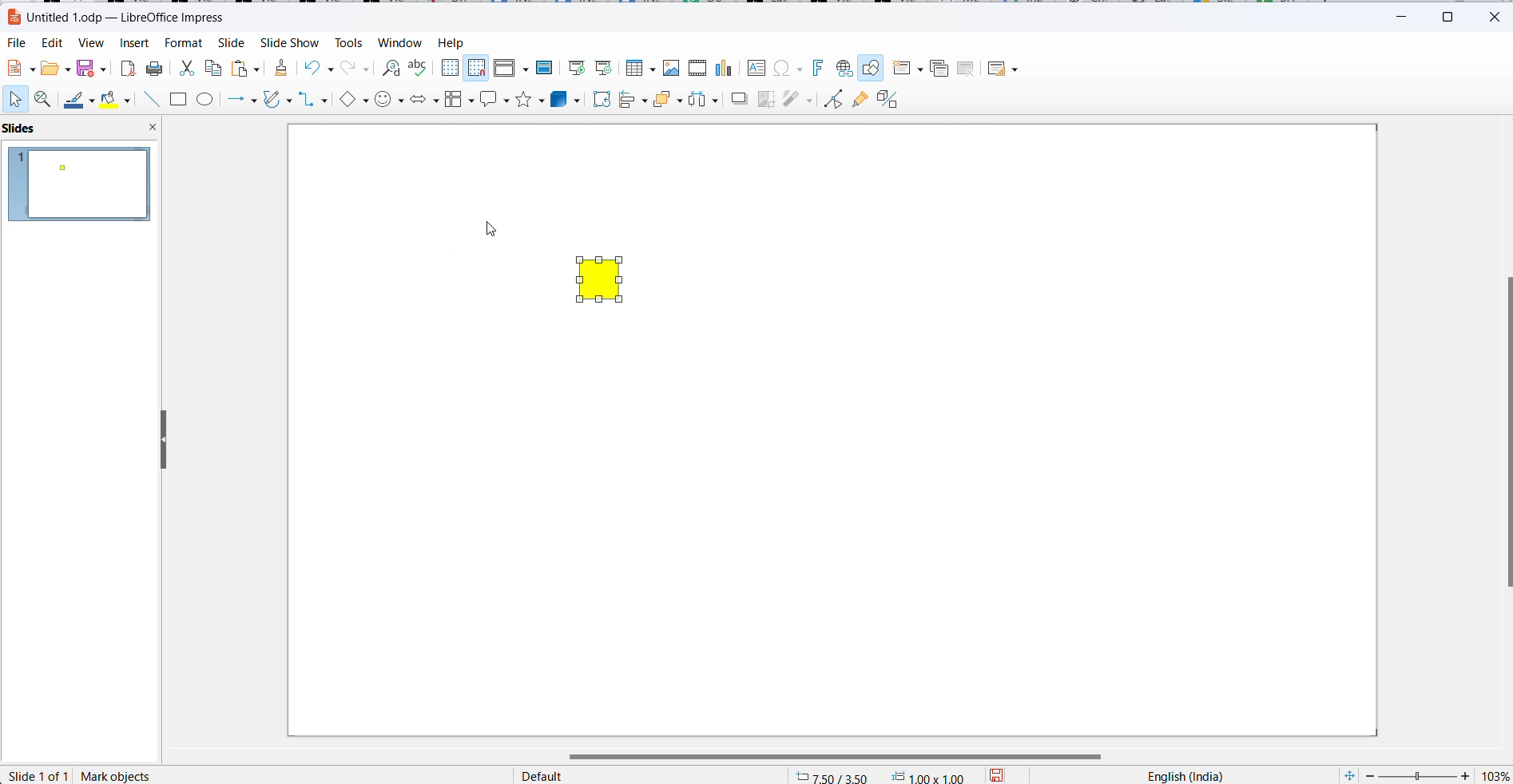  What do you see at coordinates (78, 102) in the screenshot?
I see `line` at bounding box center [78, 102].